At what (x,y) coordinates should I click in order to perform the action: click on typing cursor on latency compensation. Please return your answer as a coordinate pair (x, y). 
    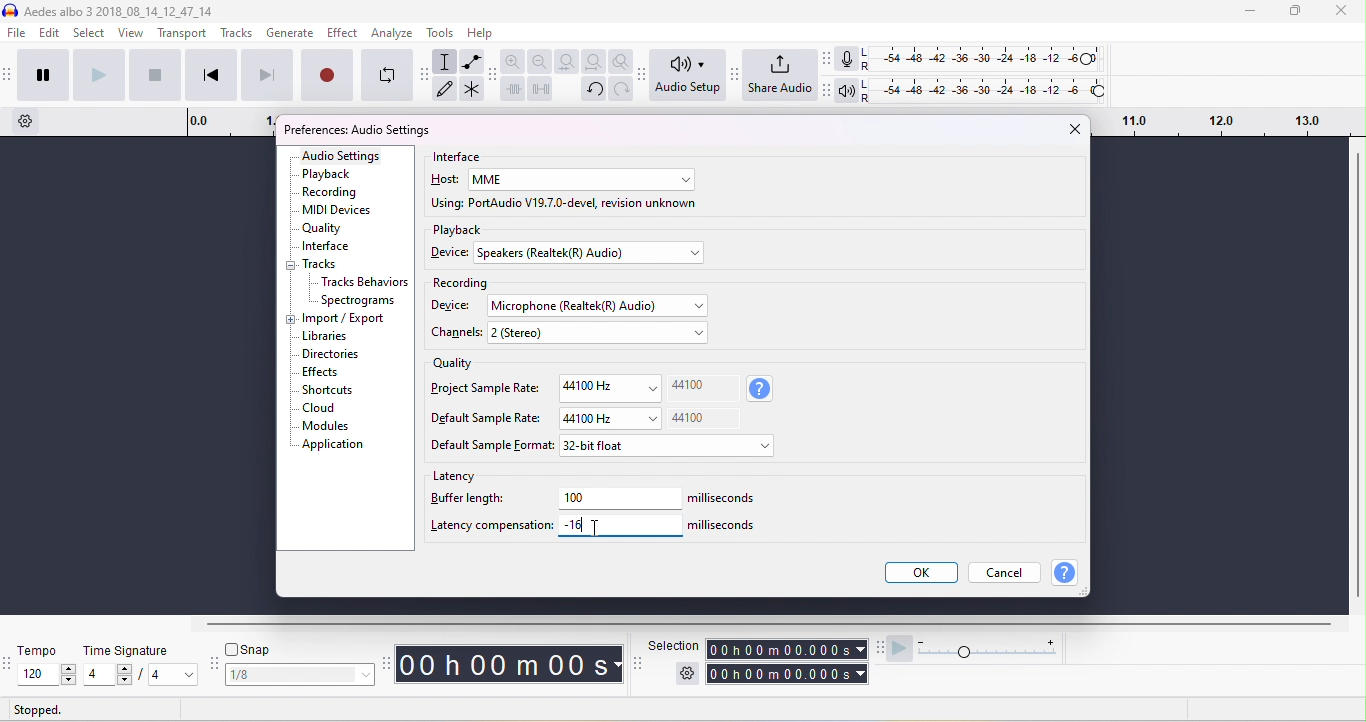
    Looking at the image, I should click on (599, 529).